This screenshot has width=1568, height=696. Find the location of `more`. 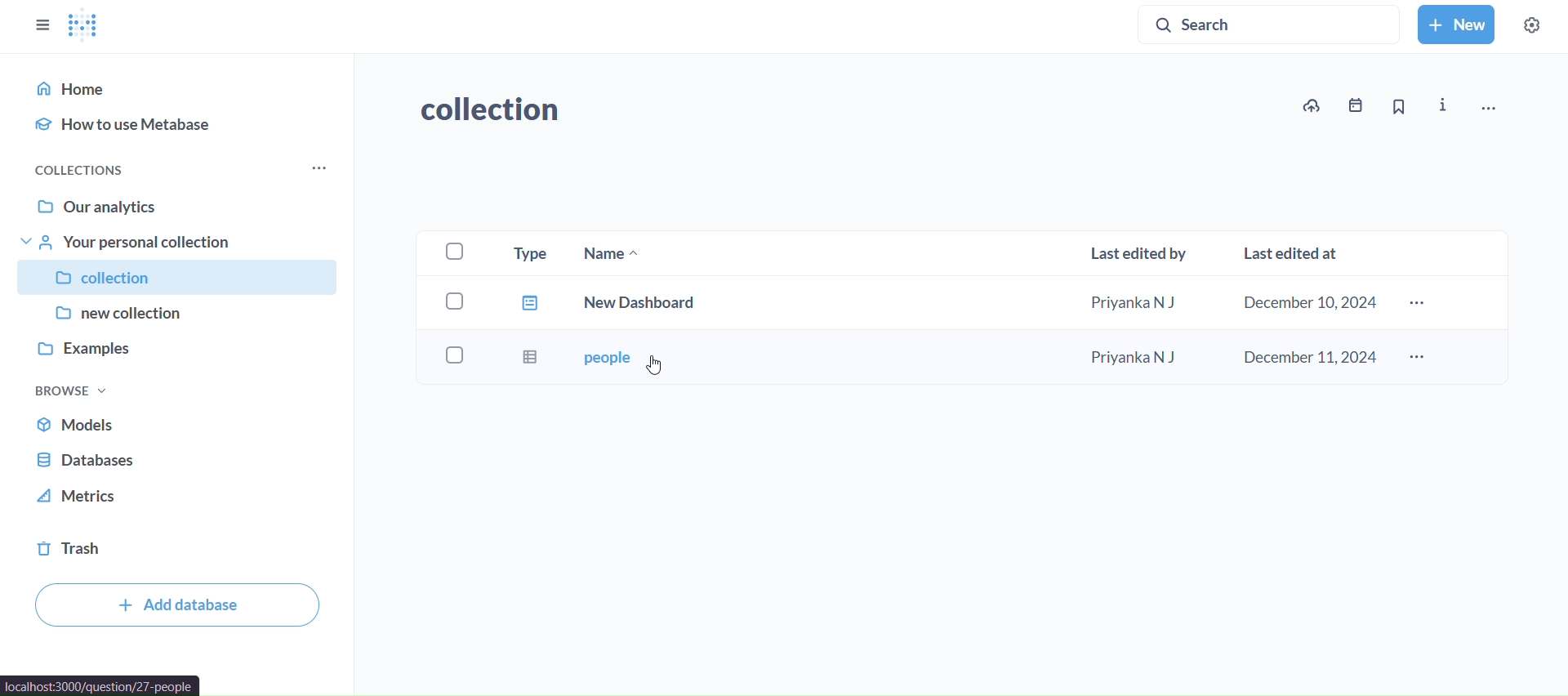

more is located at coordinates (1419, 359).